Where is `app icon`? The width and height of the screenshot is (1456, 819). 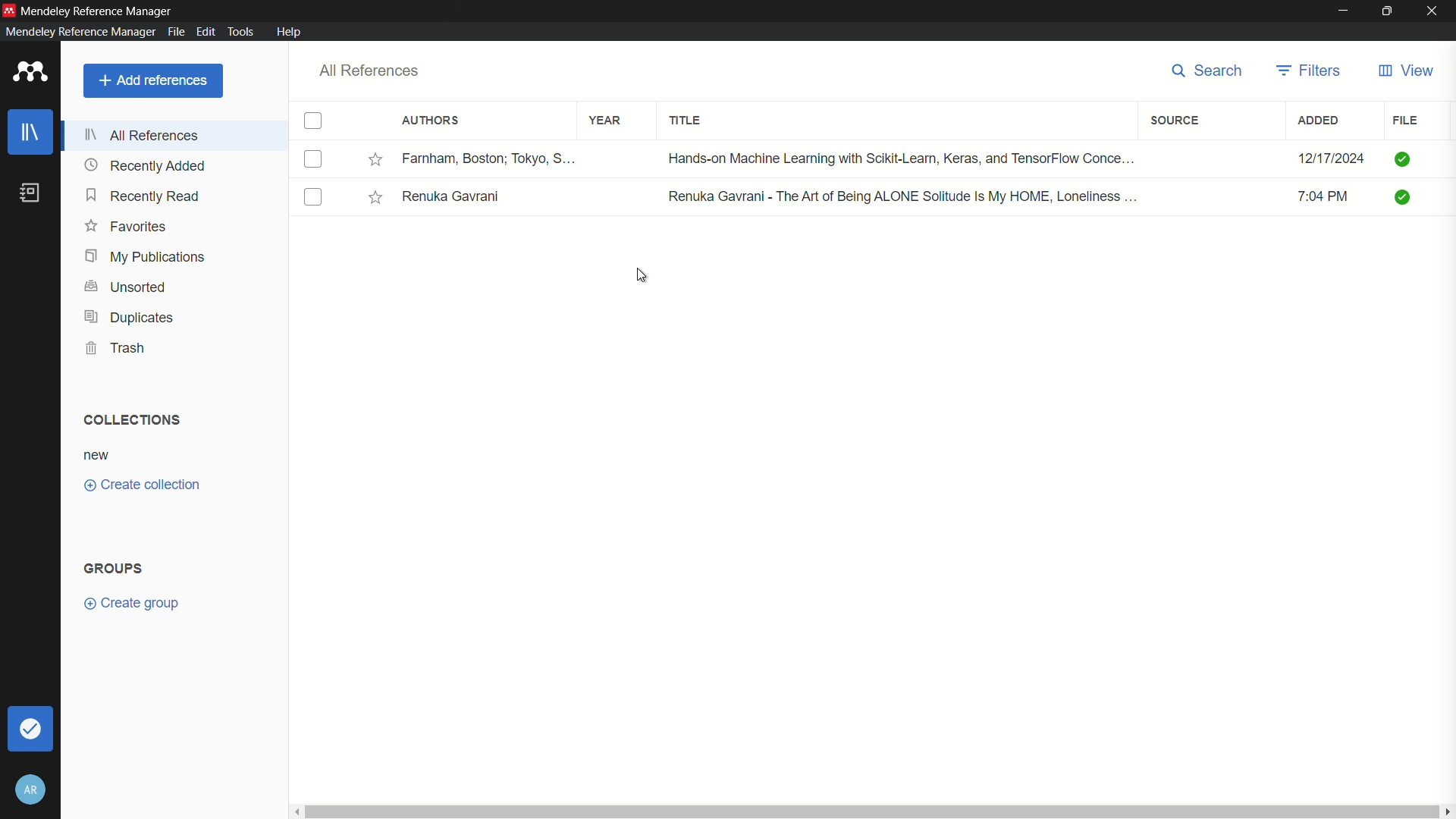 app icon is located at coordinates (27, 72).